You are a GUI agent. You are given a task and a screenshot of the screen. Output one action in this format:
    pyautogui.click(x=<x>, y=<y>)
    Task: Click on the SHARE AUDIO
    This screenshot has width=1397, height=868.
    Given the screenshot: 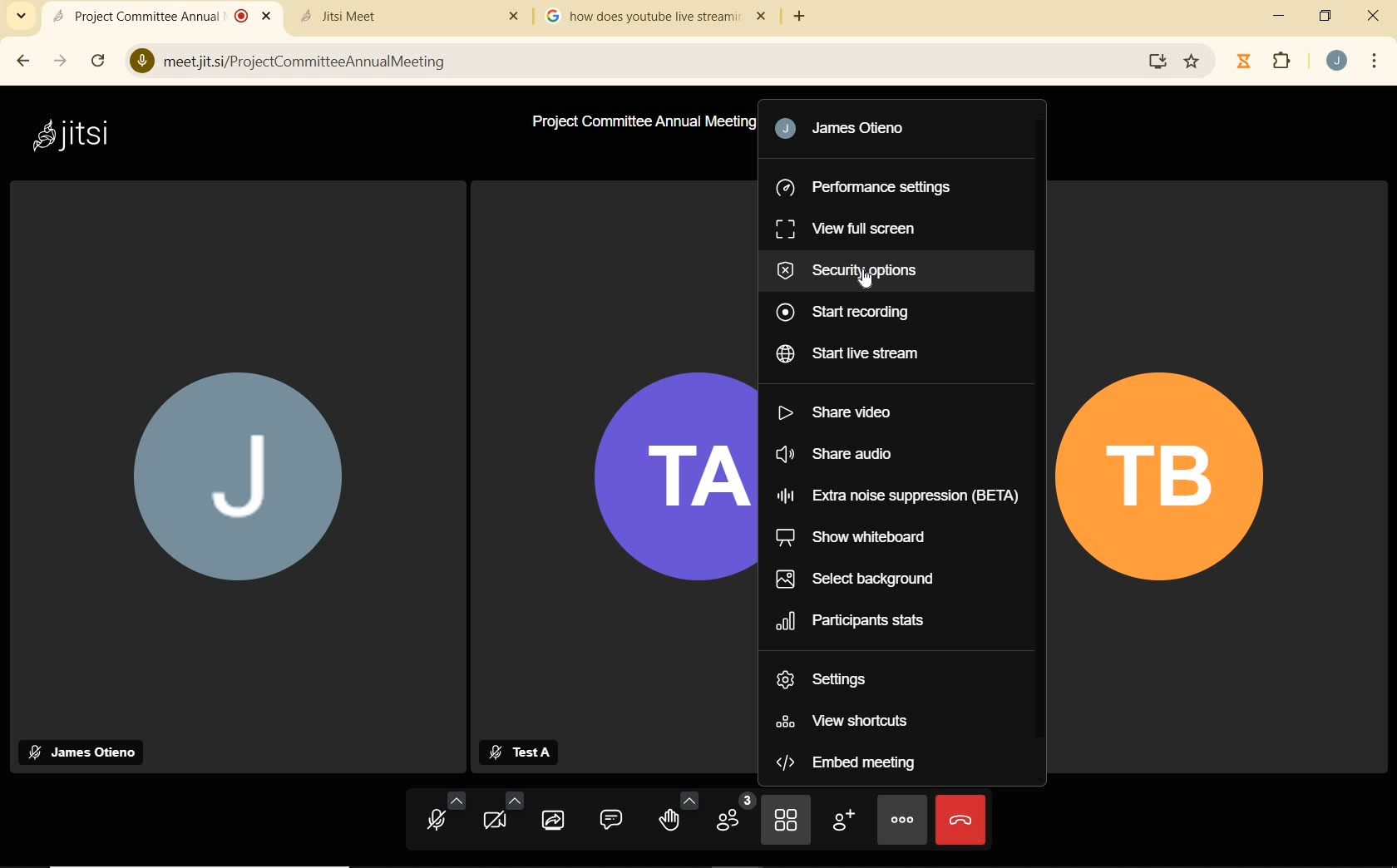 What is the action you would take?
    pyautogui.click(x=844, y=452)
    